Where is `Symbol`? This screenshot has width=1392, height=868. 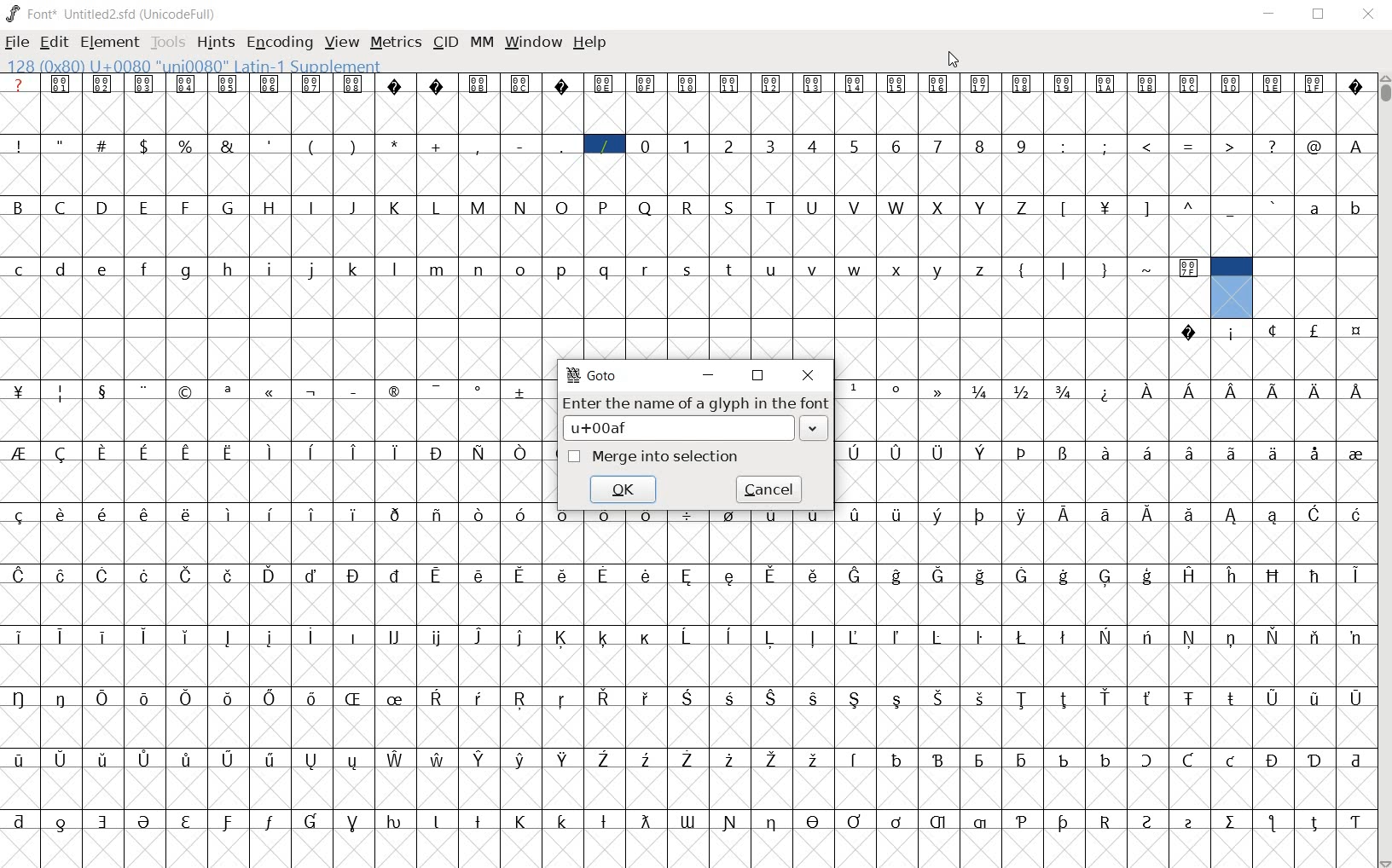 Symbol is located at coordinates (899, 820).